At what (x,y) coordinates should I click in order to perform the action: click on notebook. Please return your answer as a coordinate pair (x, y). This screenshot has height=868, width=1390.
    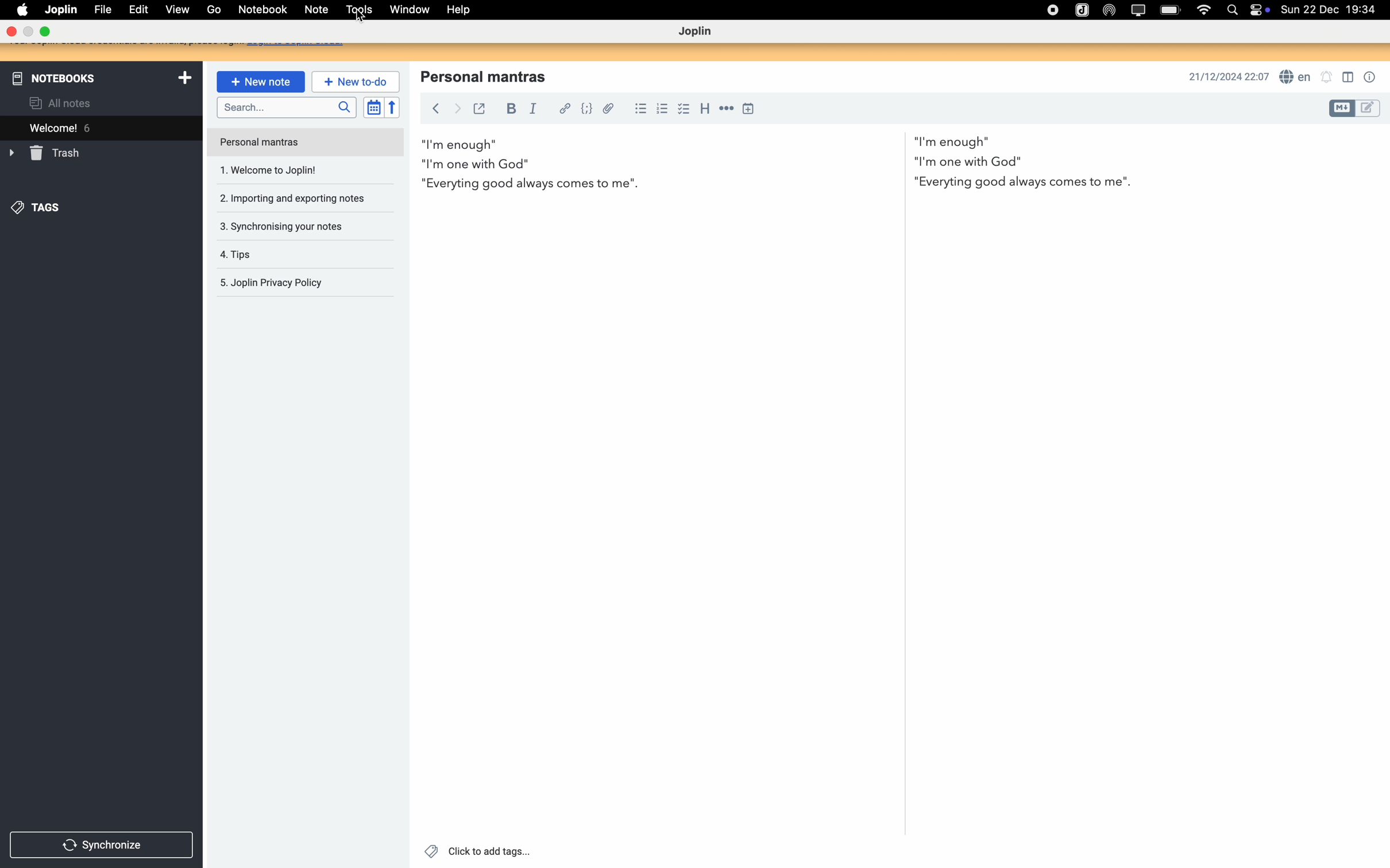
    Looking at the image, I should click on (262, 10).